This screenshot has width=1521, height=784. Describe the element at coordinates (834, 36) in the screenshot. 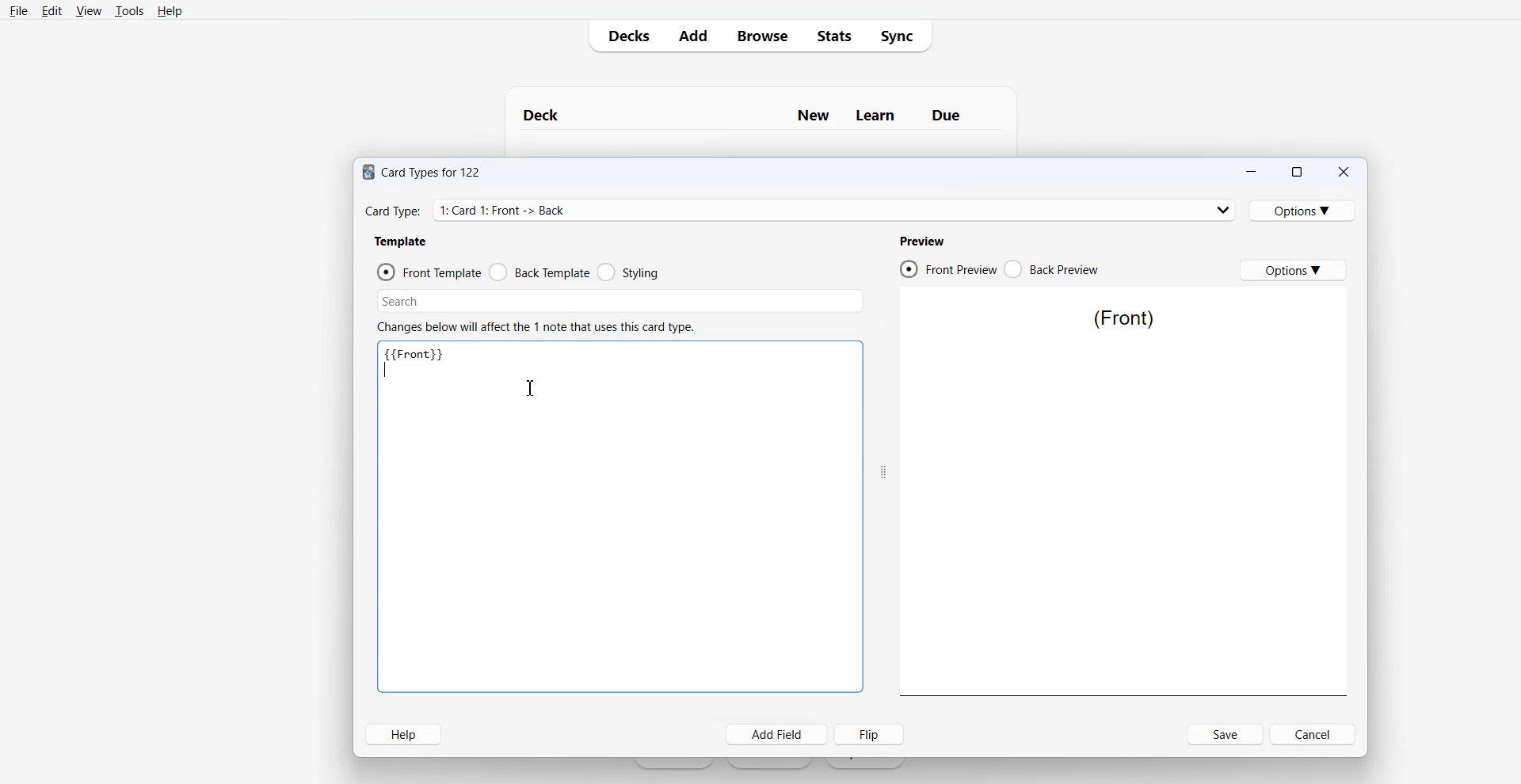

I see `Stats` at that location.